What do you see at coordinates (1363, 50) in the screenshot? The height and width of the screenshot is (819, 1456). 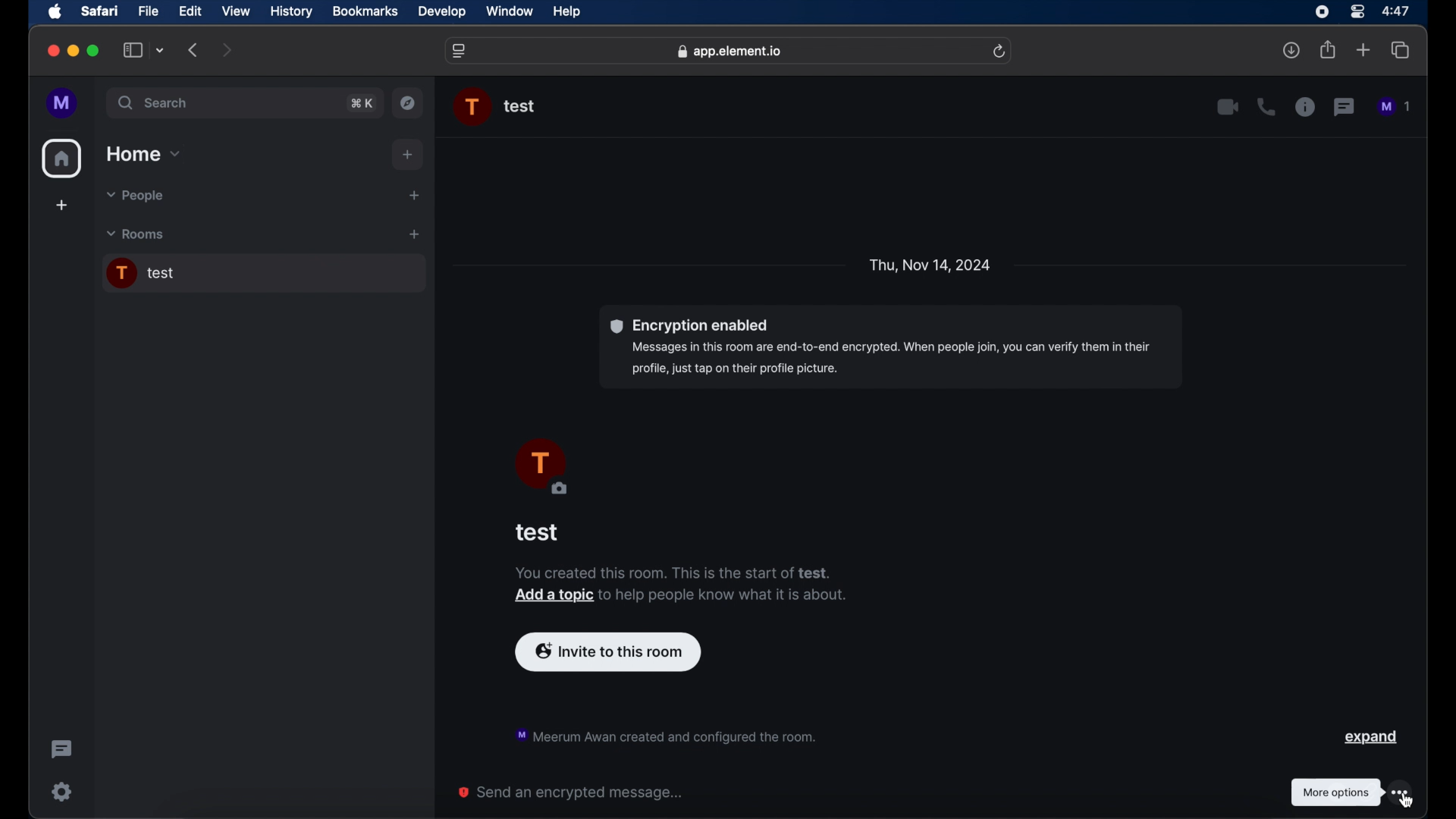 I see `new tab` at bounding box center [1363, 50].